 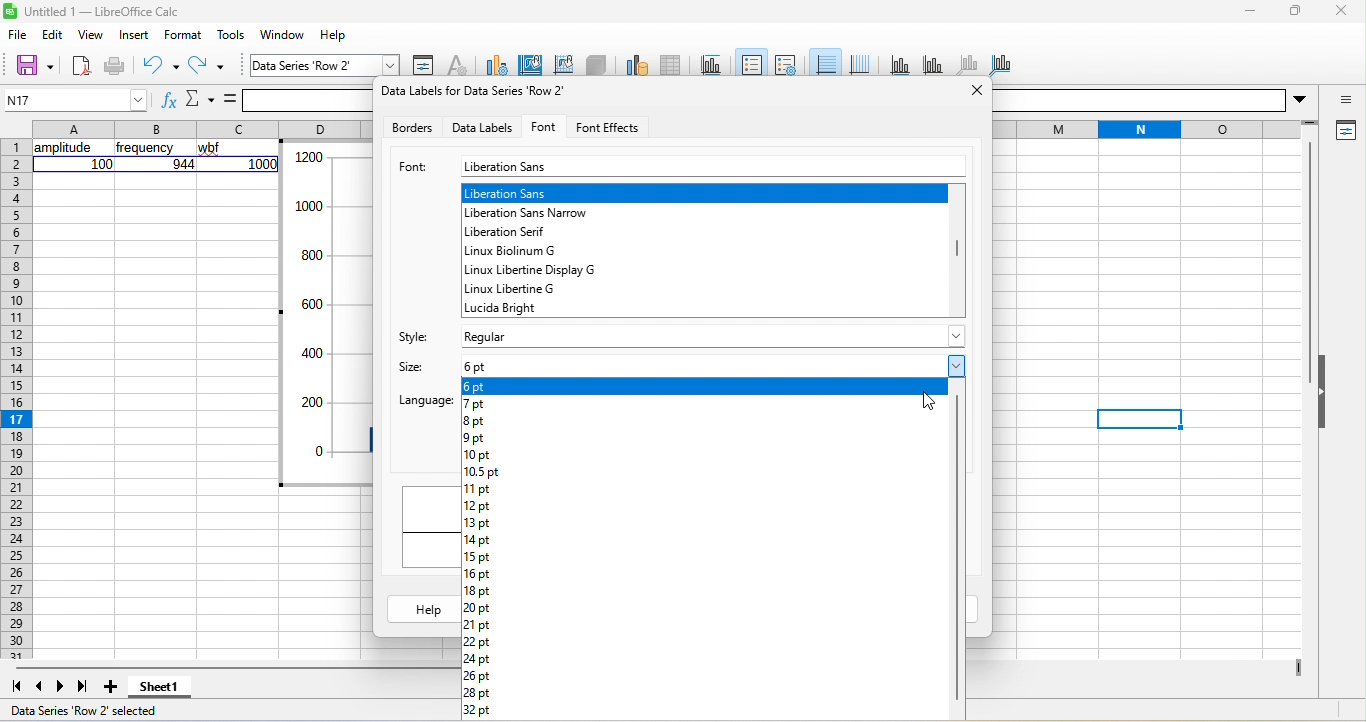 I want to click on regular, so click(x=709, y=333).